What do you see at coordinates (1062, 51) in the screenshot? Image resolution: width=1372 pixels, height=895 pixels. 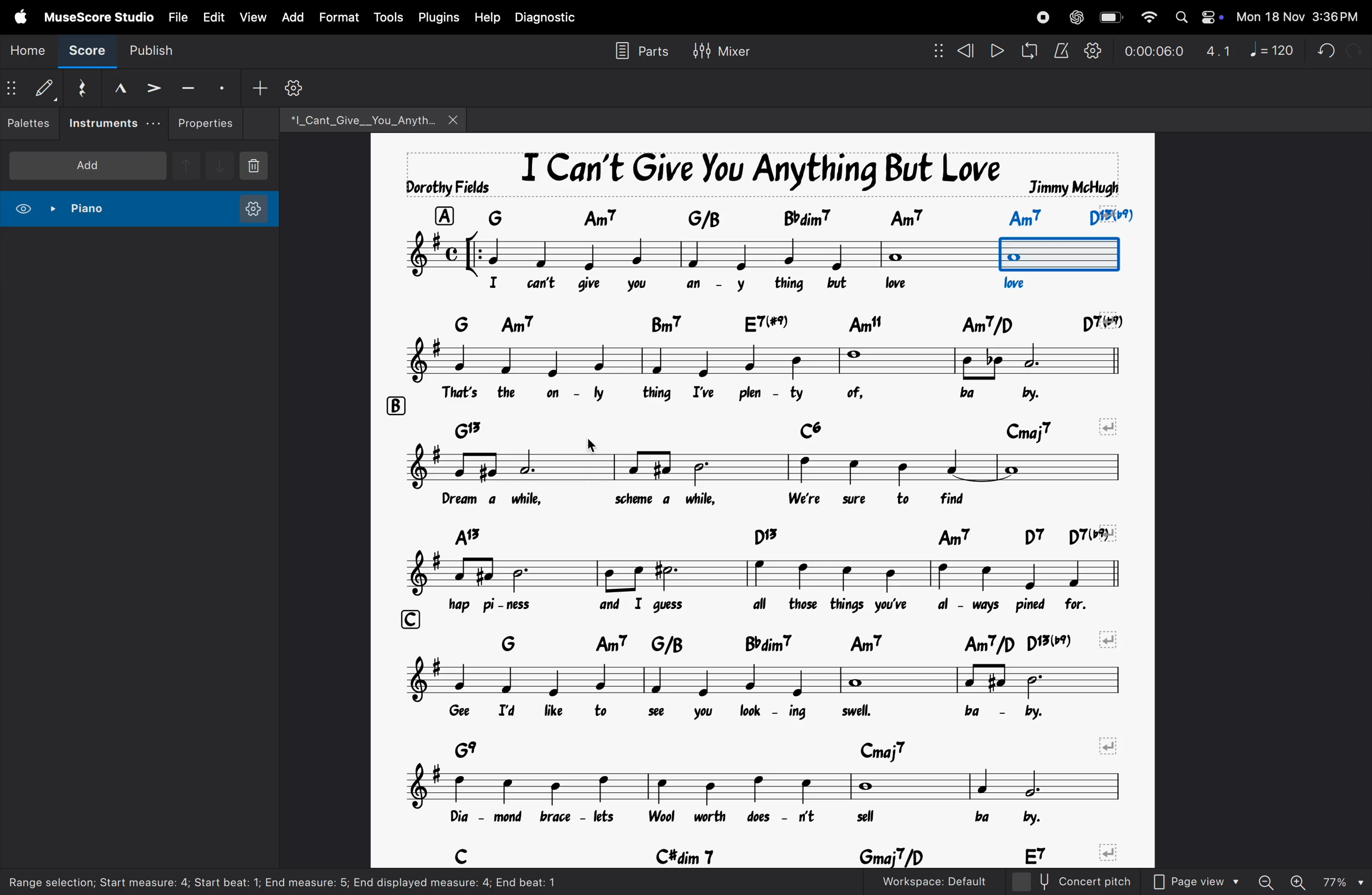 I see `metronome` at bounding box center [1062, 51].